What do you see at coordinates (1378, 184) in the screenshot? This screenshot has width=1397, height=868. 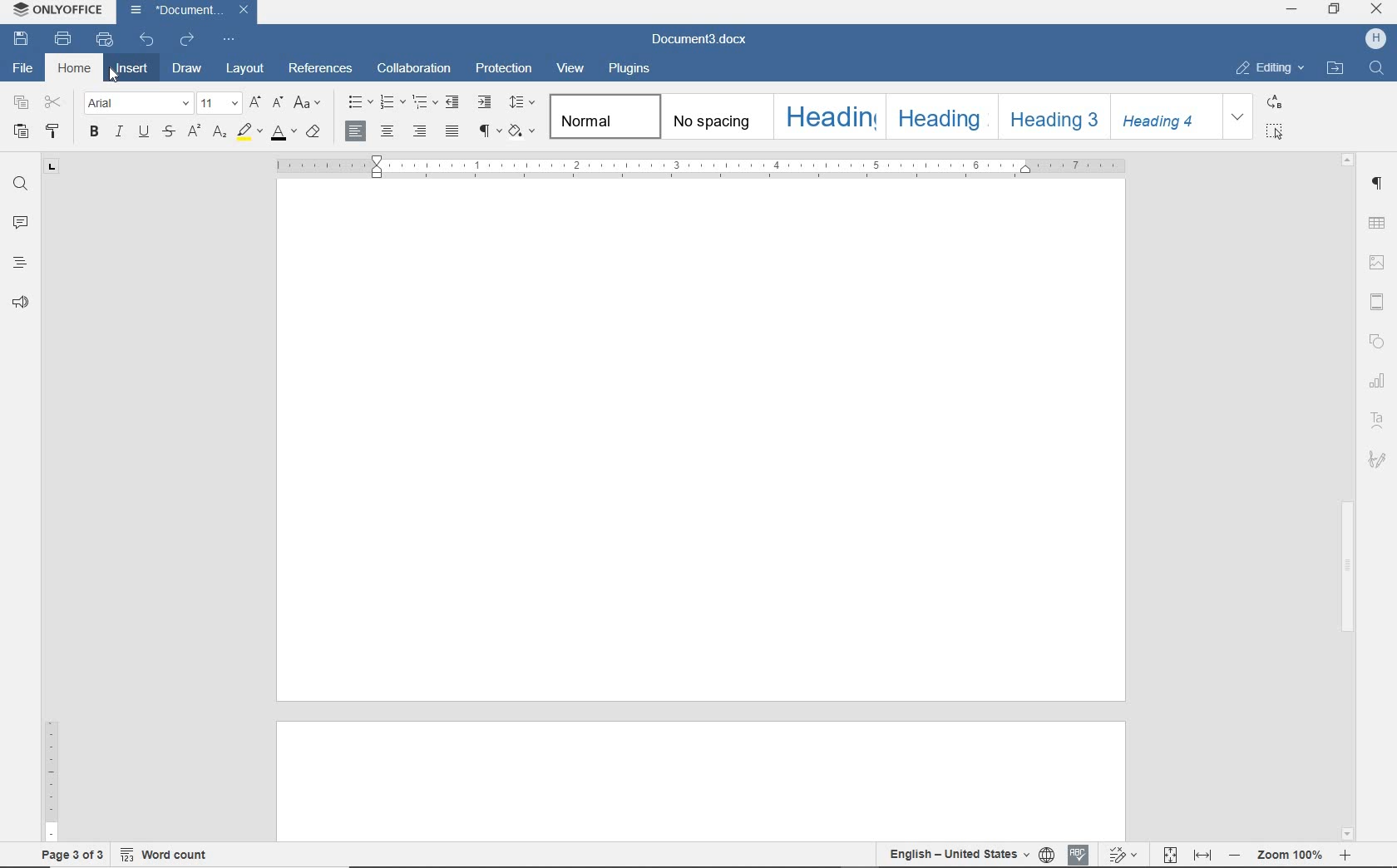 I see `PARAGRAPH SETTINGS` at bounding box center [1378, 184].